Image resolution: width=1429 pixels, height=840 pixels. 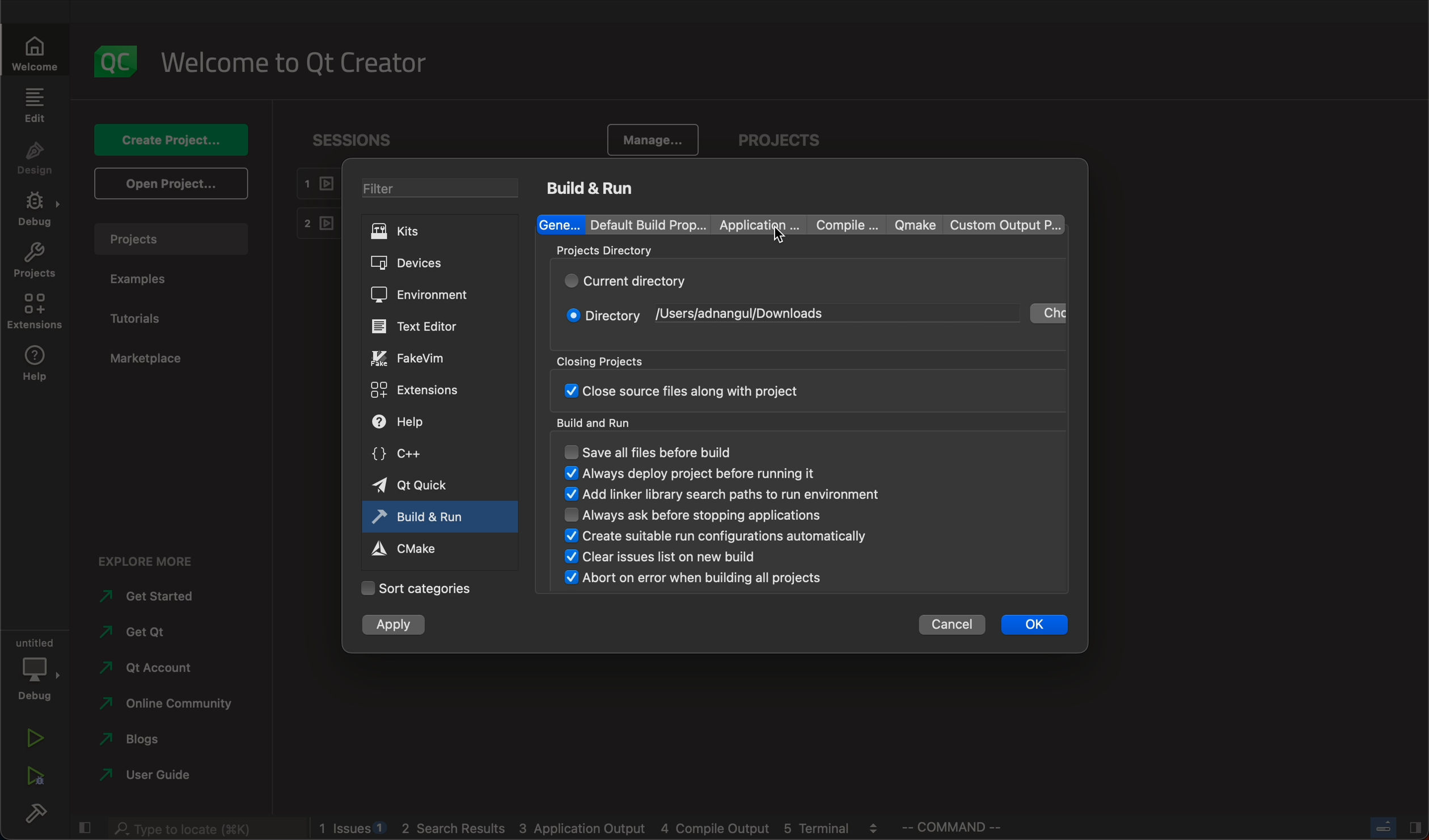 I want to click on search, so click(x=209, y=829).